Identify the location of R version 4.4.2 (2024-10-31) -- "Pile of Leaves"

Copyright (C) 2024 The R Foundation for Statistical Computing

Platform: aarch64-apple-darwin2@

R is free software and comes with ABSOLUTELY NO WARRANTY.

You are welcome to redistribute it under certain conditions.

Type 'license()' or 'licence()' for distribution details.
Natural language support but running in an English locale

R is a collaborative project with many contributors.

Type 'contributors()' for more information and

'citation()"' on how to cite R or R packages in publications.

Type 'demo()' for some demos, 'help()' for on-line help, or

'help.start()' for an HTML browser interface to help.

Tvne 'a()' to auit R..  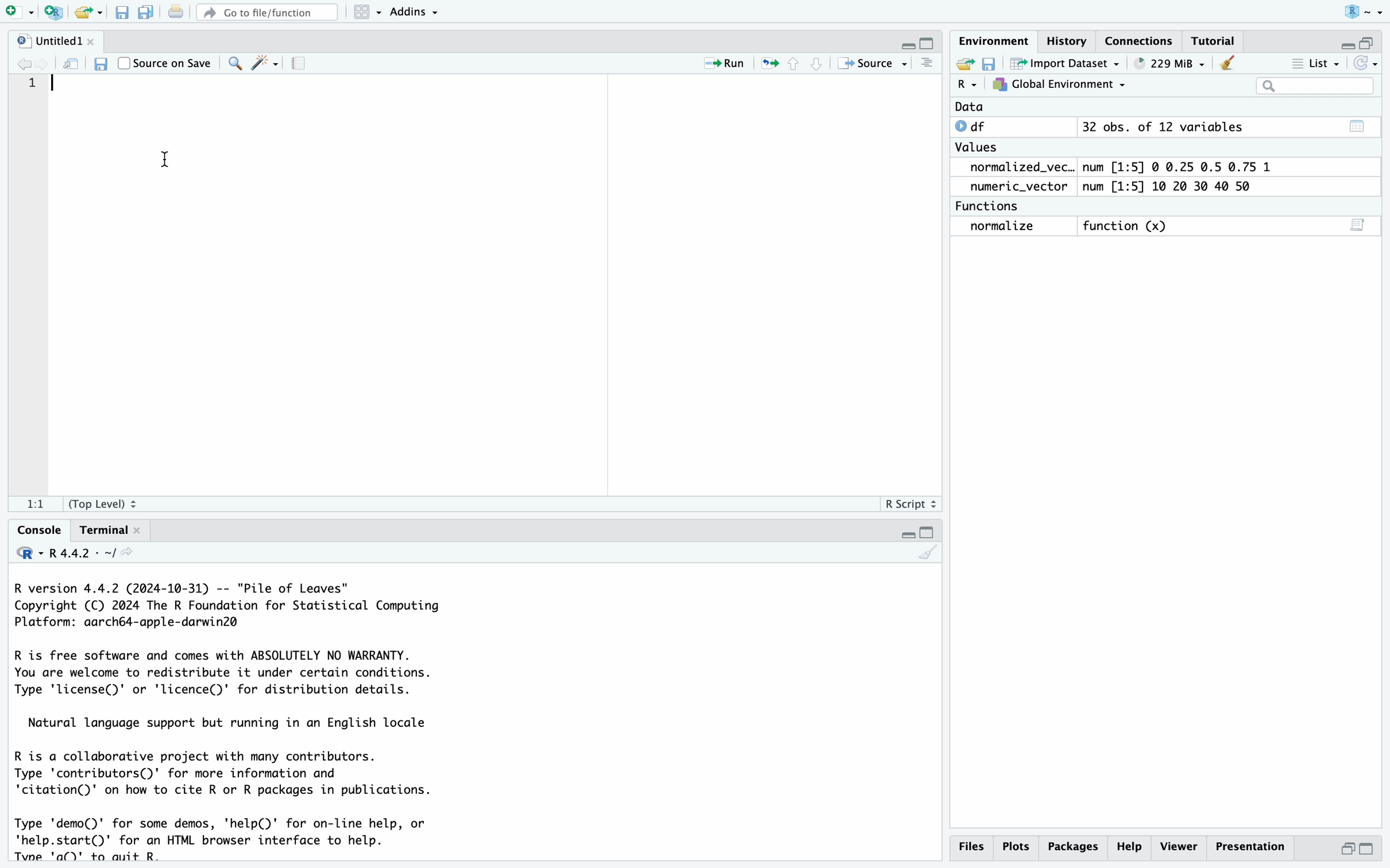
(228, 721).